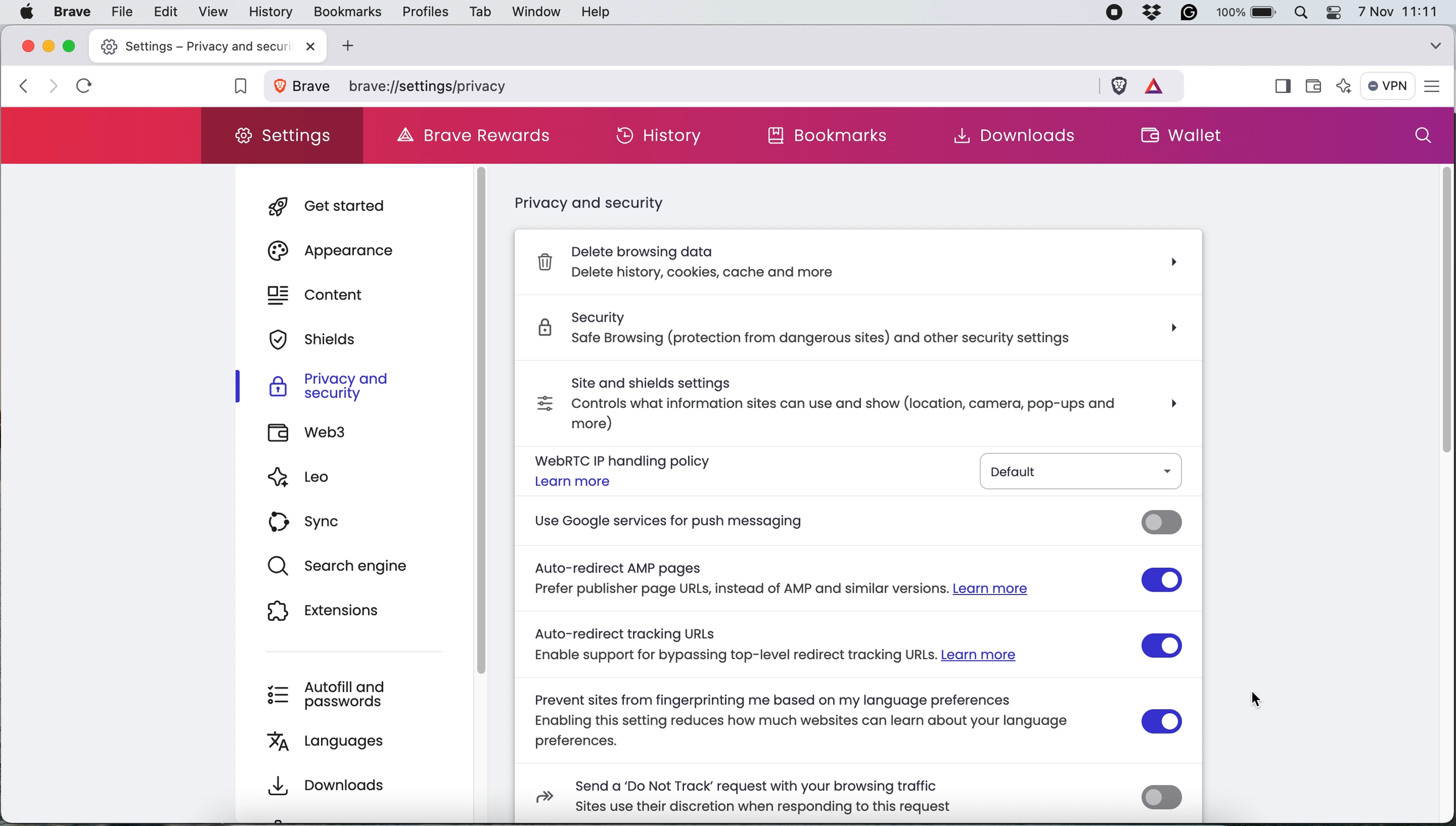  What do you see at coordinates (342, 739) in the screenshot?
I see `languages` at bounding box center [342, 739].